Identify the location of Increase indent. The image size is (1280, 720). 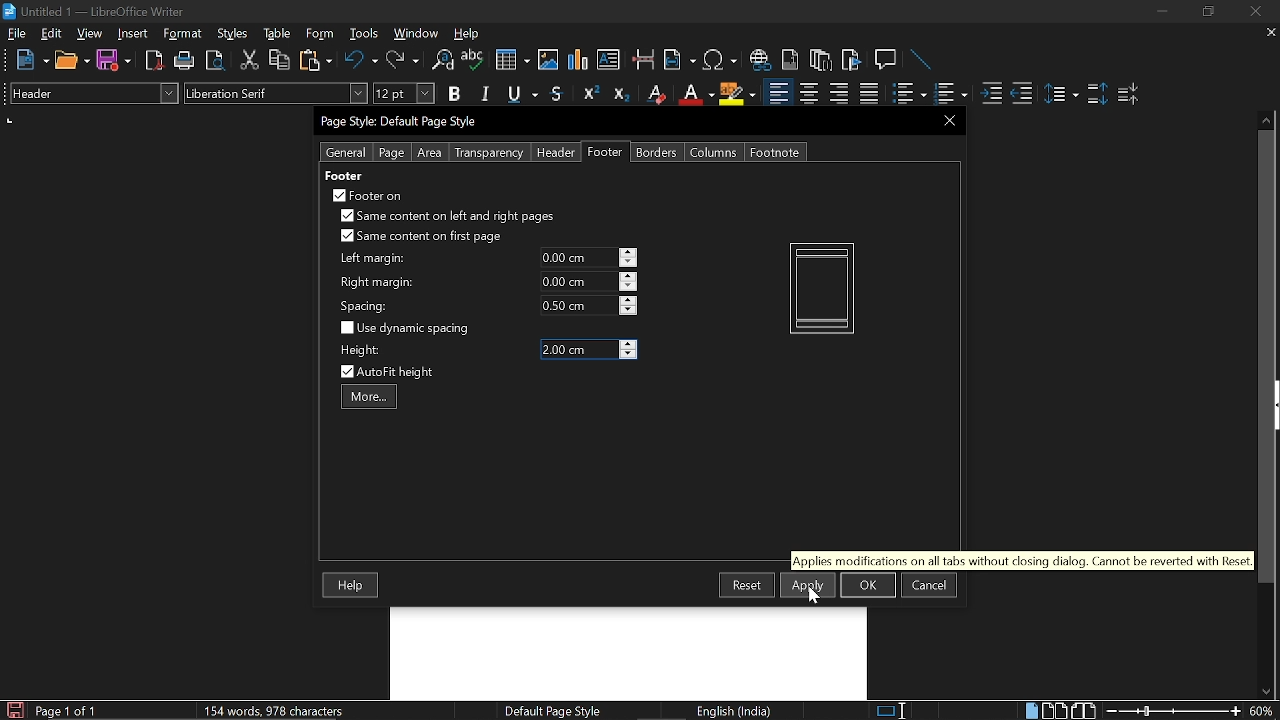
(990, 93).